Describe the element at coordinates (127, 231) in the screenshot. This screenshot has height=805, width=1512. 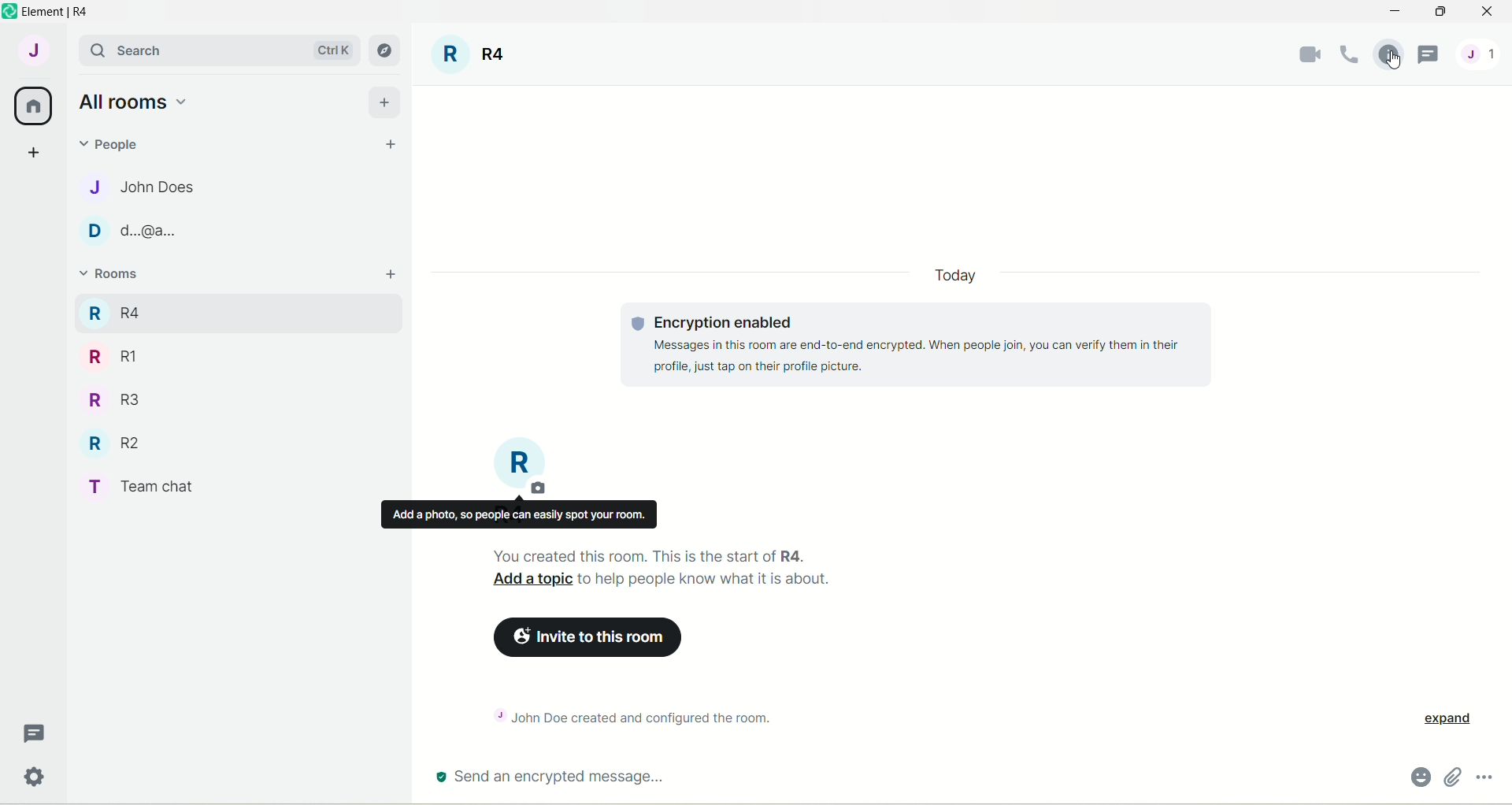
I see `D d.@a..` at that location.